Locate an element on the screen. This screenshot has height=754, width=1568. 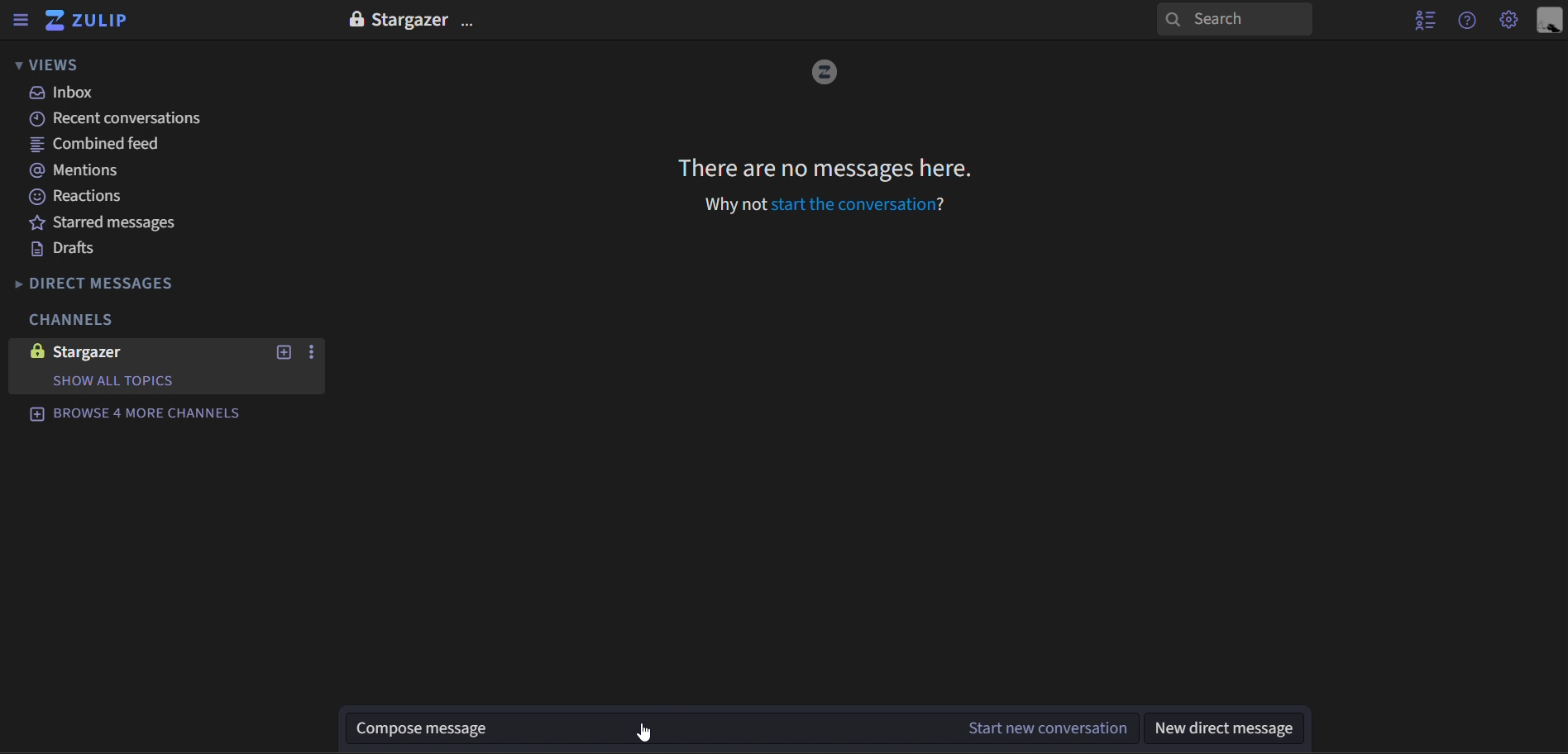
zulip is located at coordinates (89, 21).